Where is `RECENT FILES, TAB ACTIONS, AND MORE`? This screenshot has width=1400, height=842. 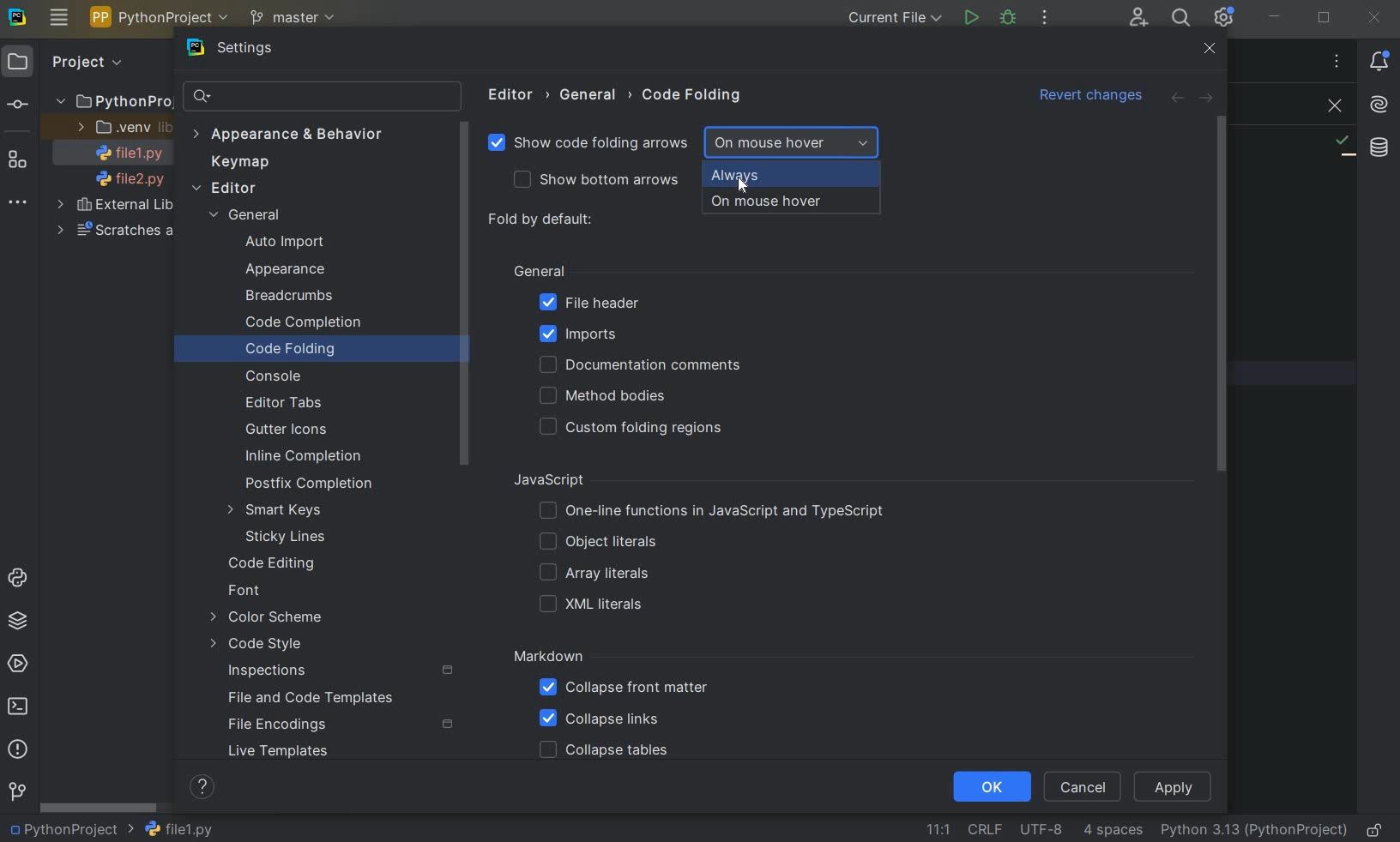 RECENT FILES, TAB ACTIONS, AND MORE is located at coordinates (1336, 61).